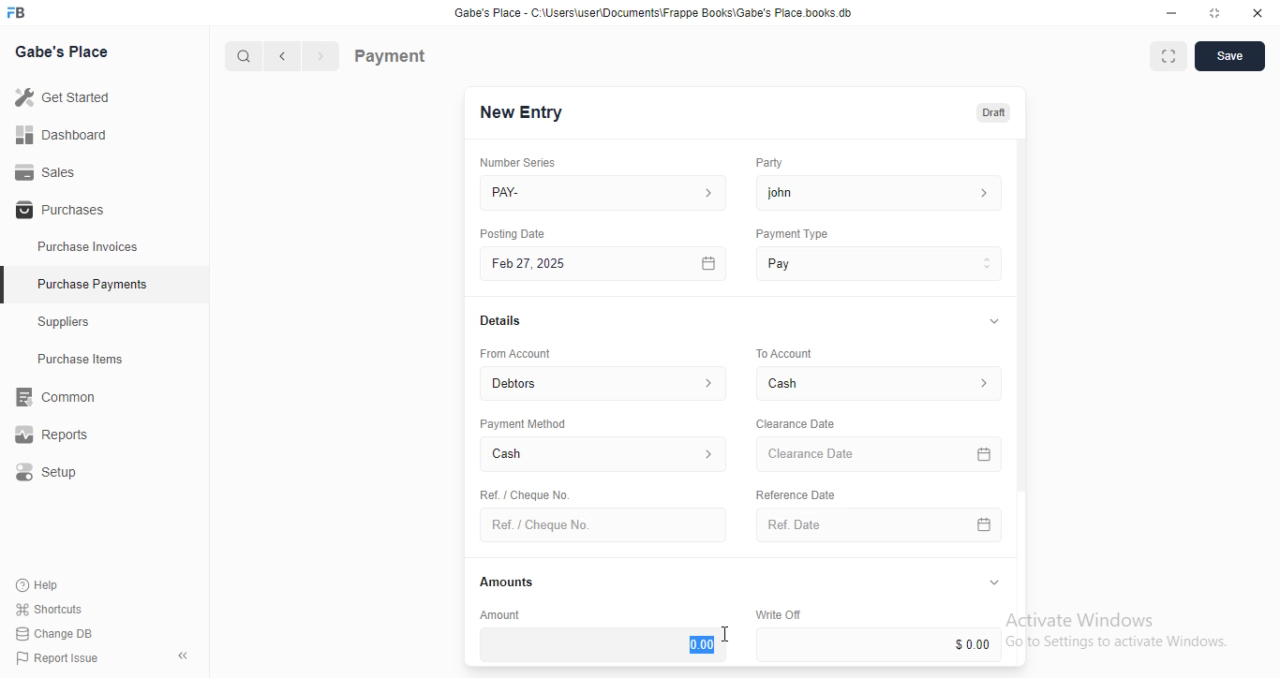  Describe the element at coordinates (606, 264) in the screenshot. I see `Feb 27, 2025` at that location.